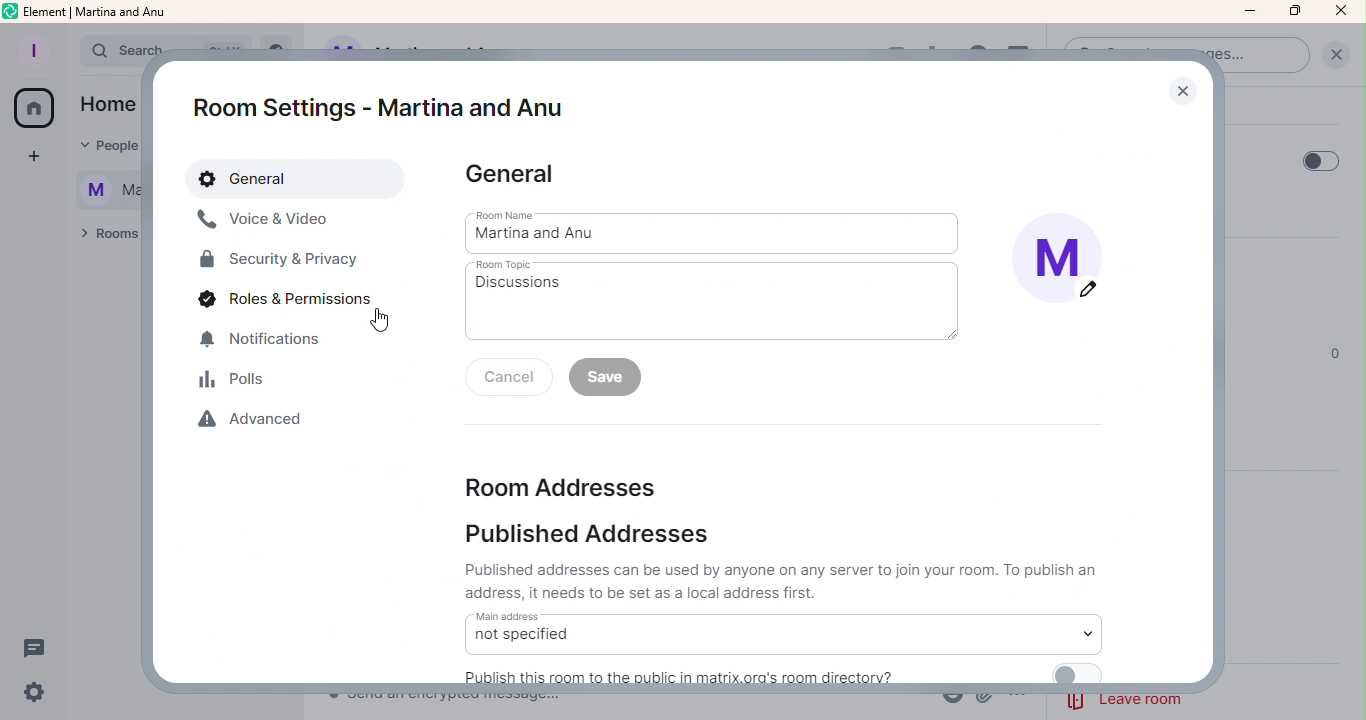  Describe the element at coordinates (99, 192) in the screenshot. I see `Martina and Anu` at that location.